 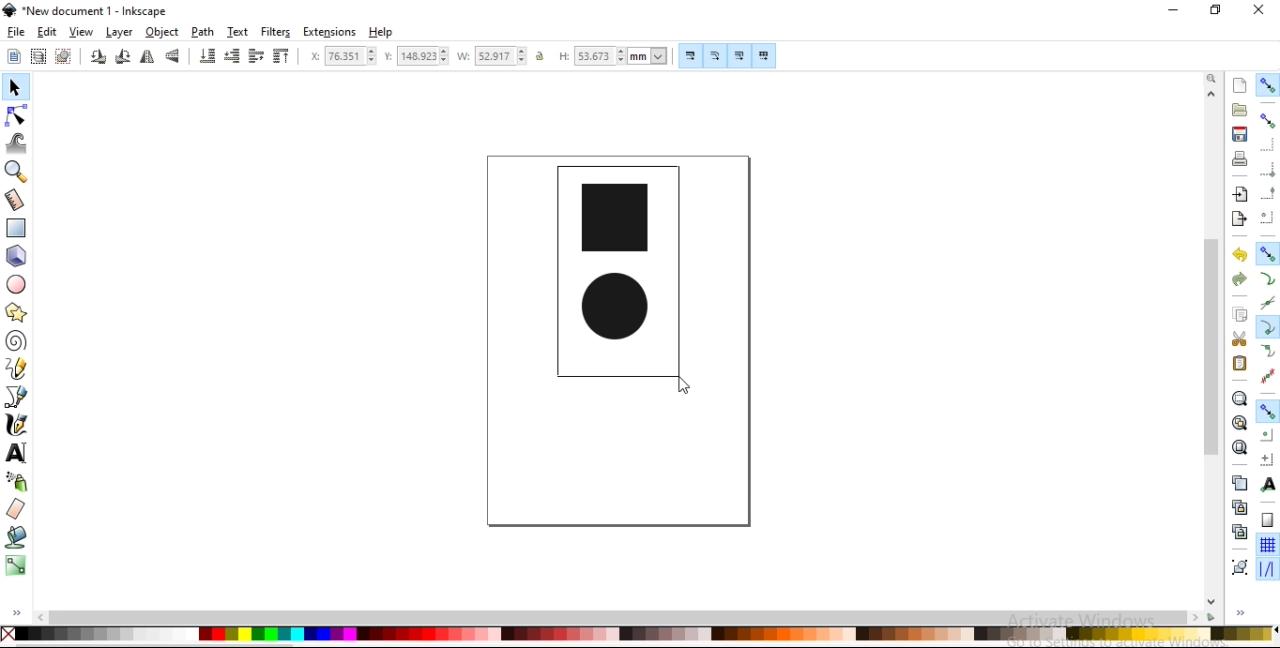 What do you see at coordinates (16, 228) in the screenshot?
I see `create rectangles and squares` at bounding box center [16, 228].